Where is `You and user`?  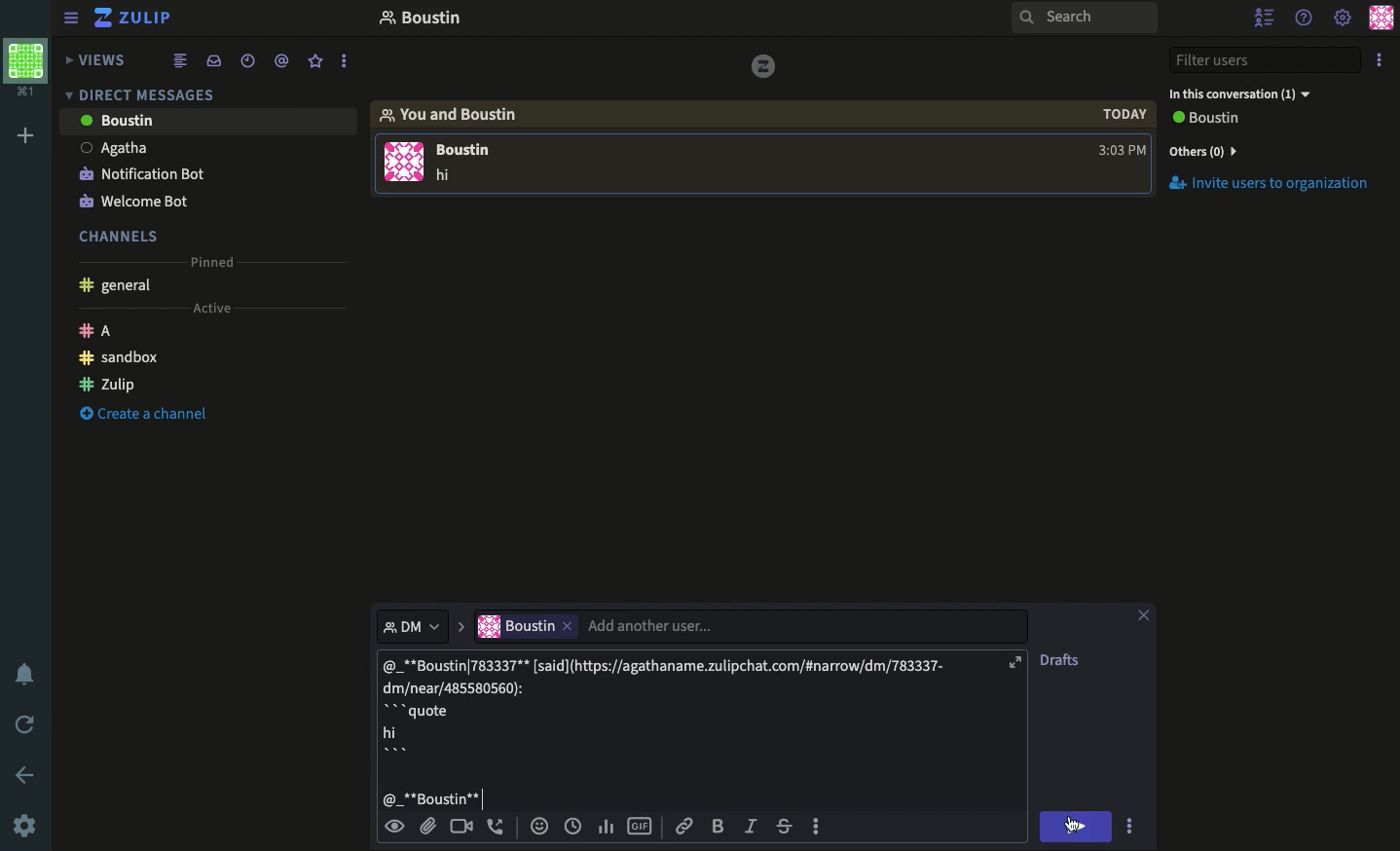 You and user is located at coordinates (458, 114).